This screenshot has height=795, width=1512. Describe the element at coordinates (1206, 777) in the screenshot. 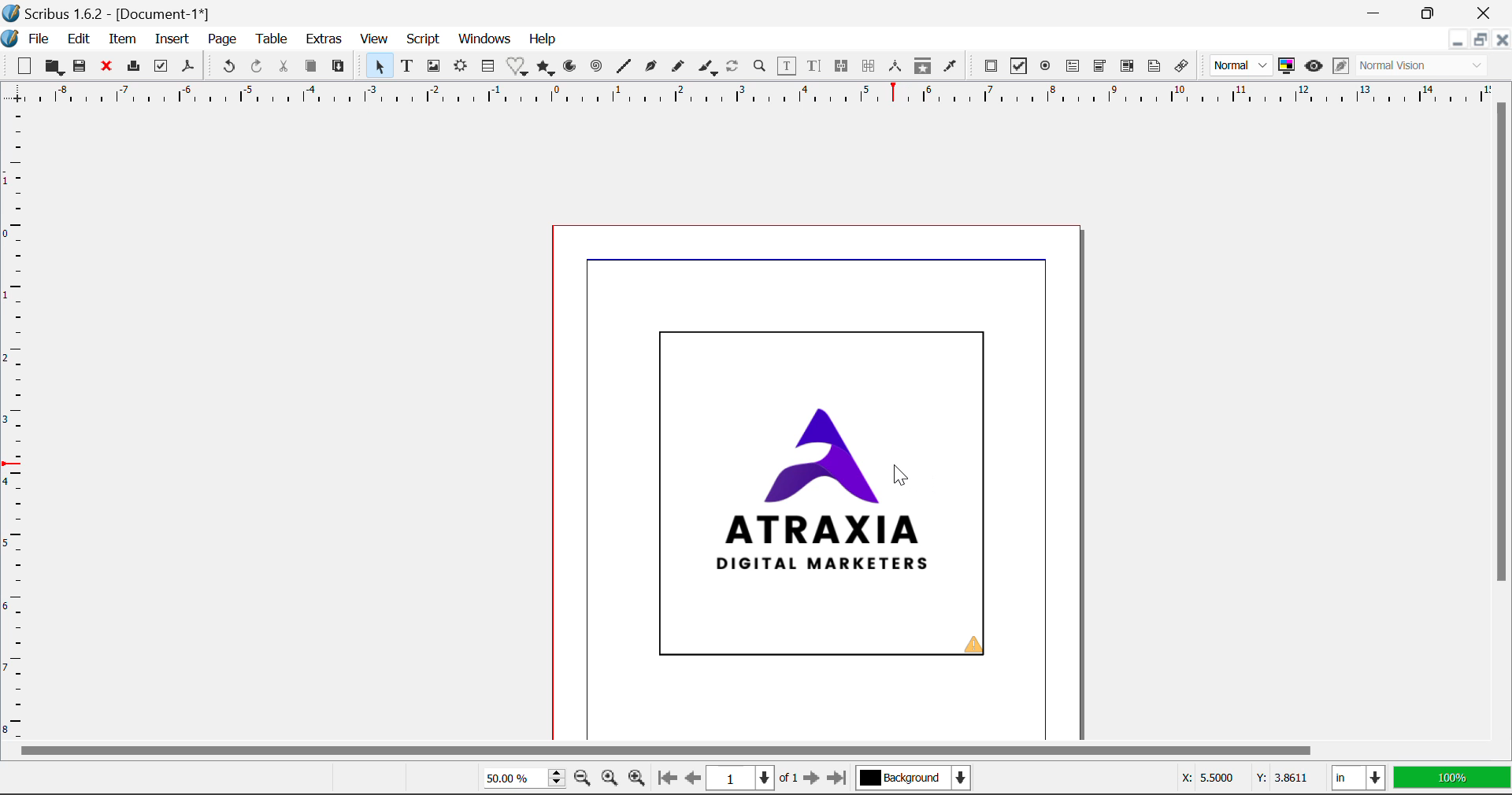

I see `X: 5.5000` at that location.